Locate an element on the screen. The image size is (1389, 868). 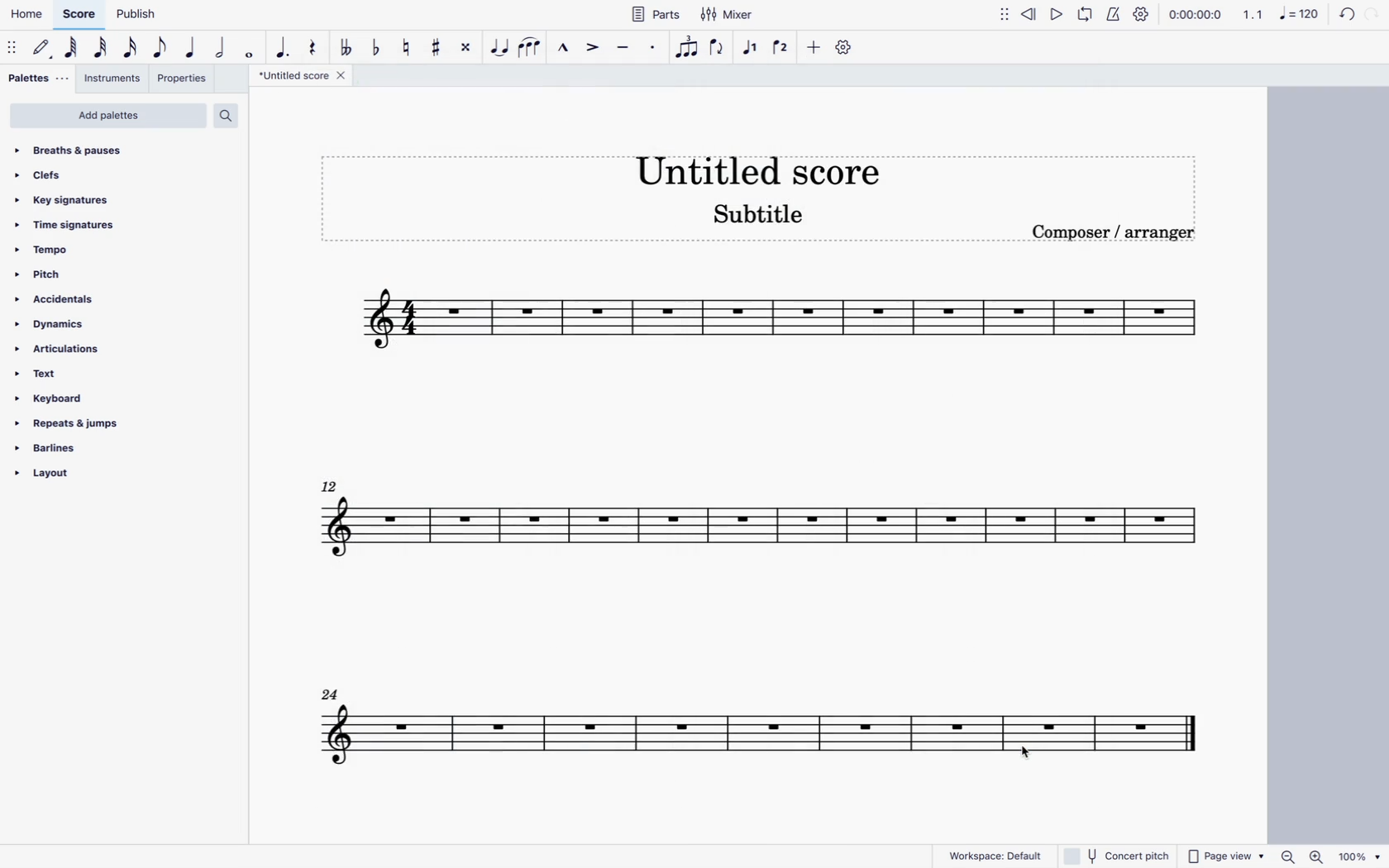
marcato is located at coordinates (563, 50).